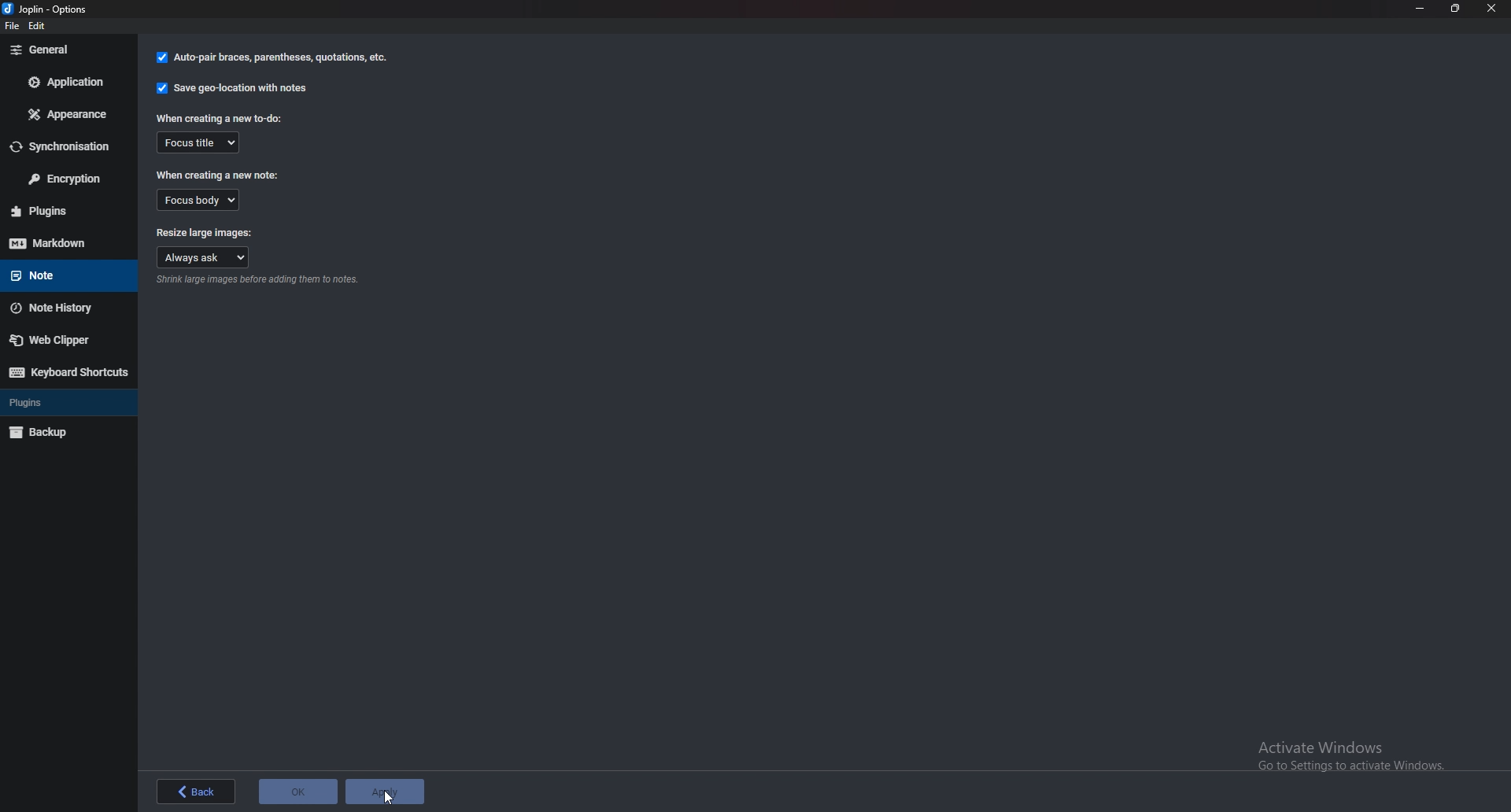 This screenshot has width=1511, height=812. I want to click on Activate windows pop up, so click(1359, 756).